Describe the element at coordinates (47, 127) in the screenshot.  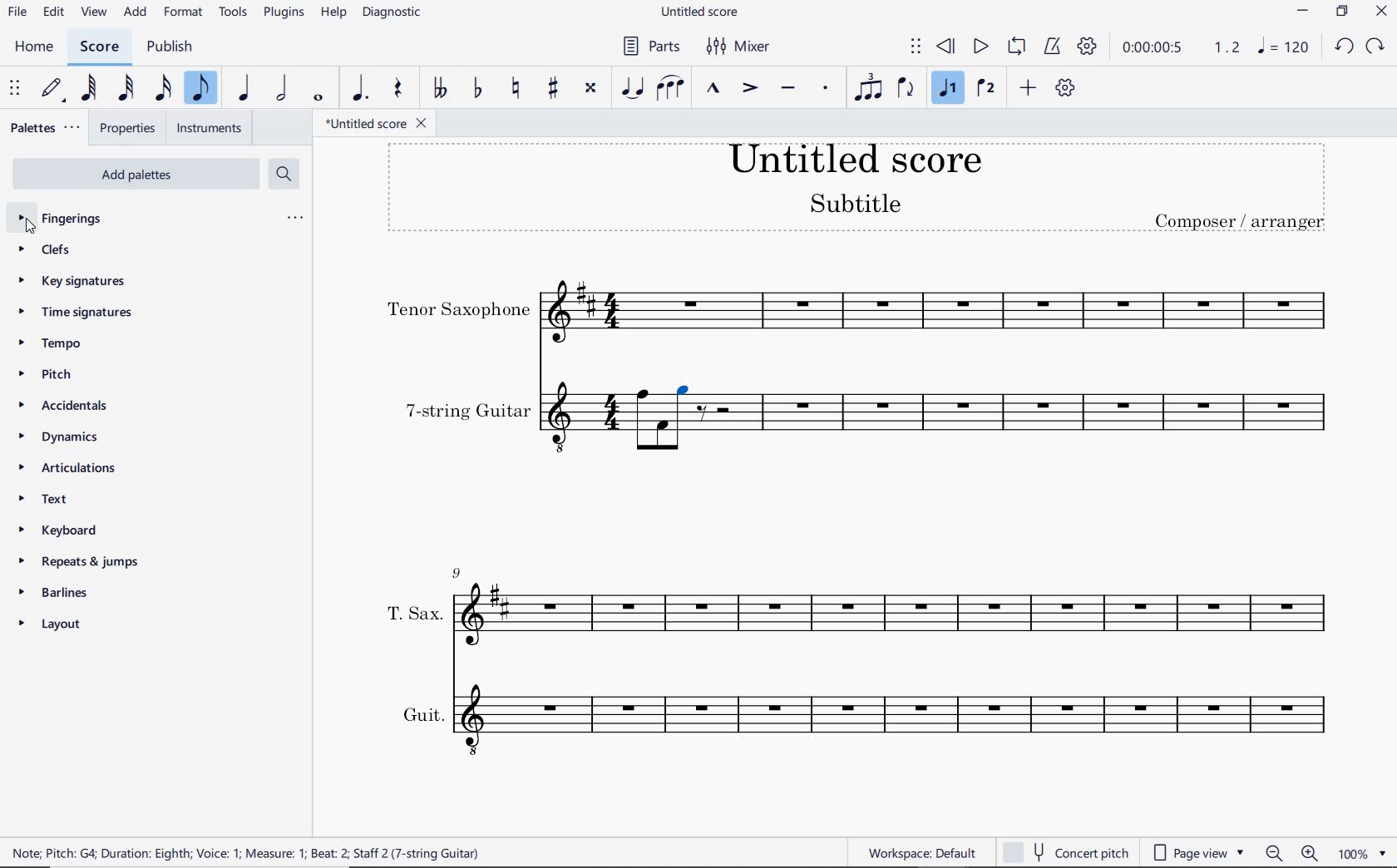
I see `PALETTES` at that location.